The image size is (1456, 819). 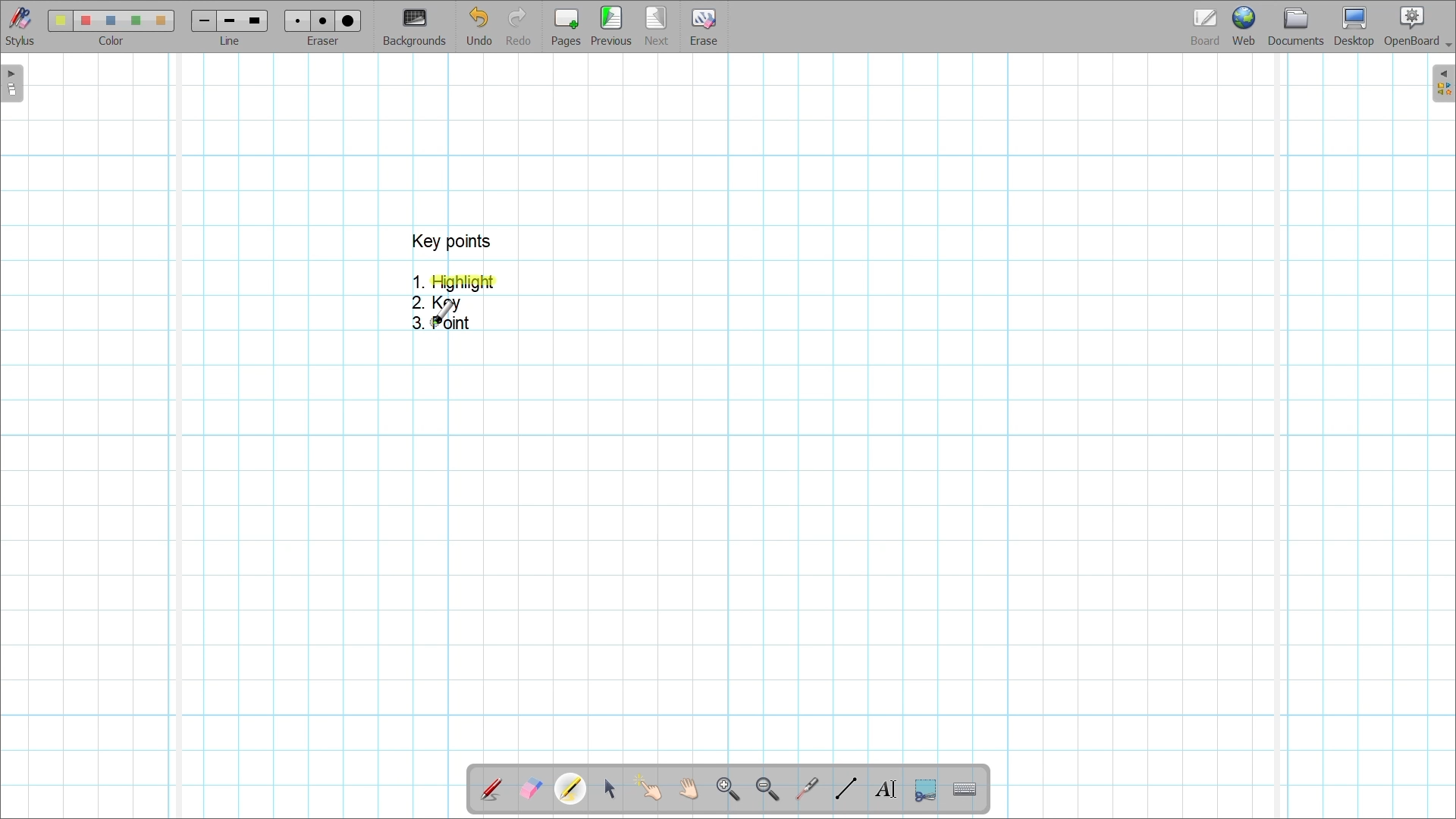 I want to click on Annotate document, so click(x=491, y=790).